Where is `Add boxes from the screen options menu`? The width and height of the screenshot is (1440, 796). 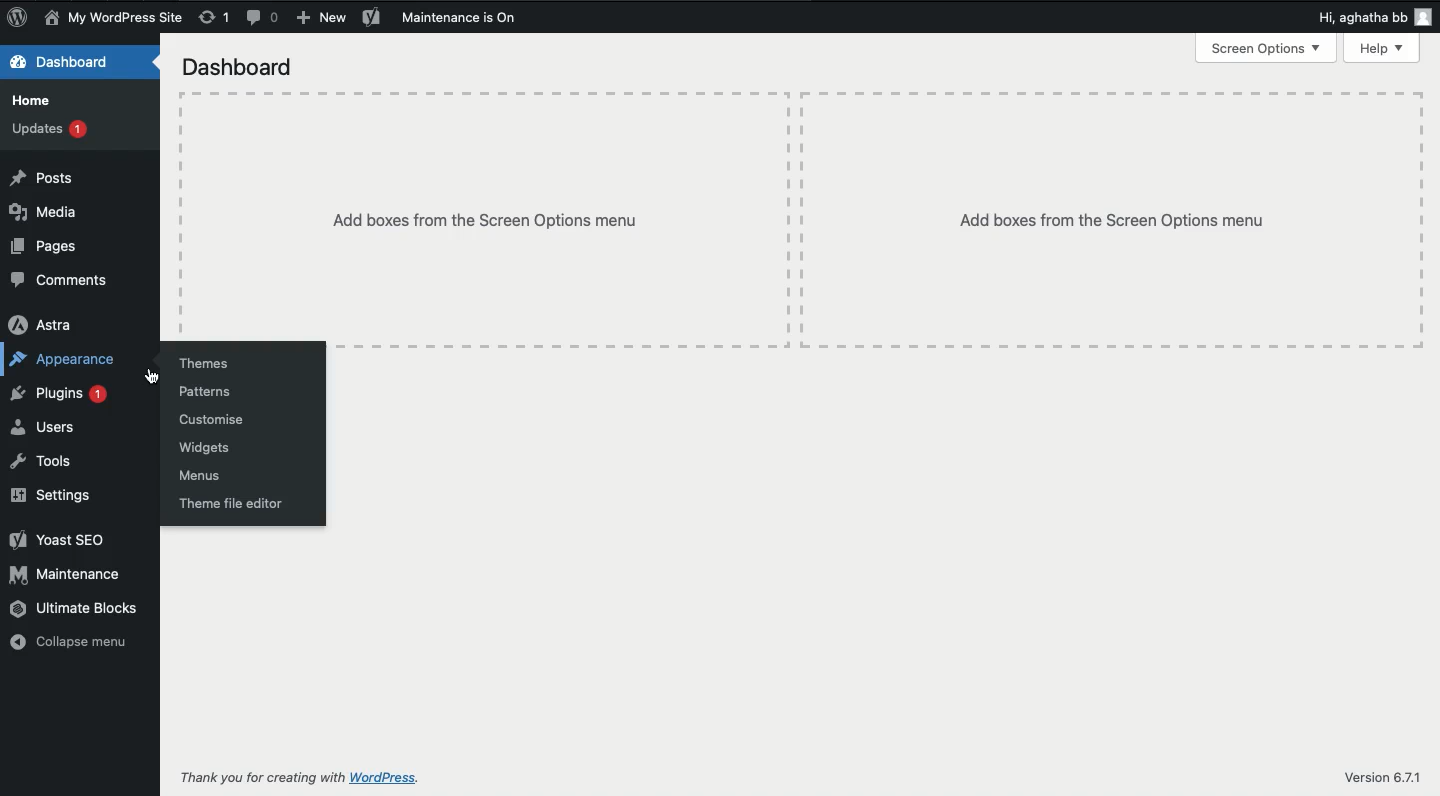 Add boxes from the screen options menu is located at coordinates (804, 217).